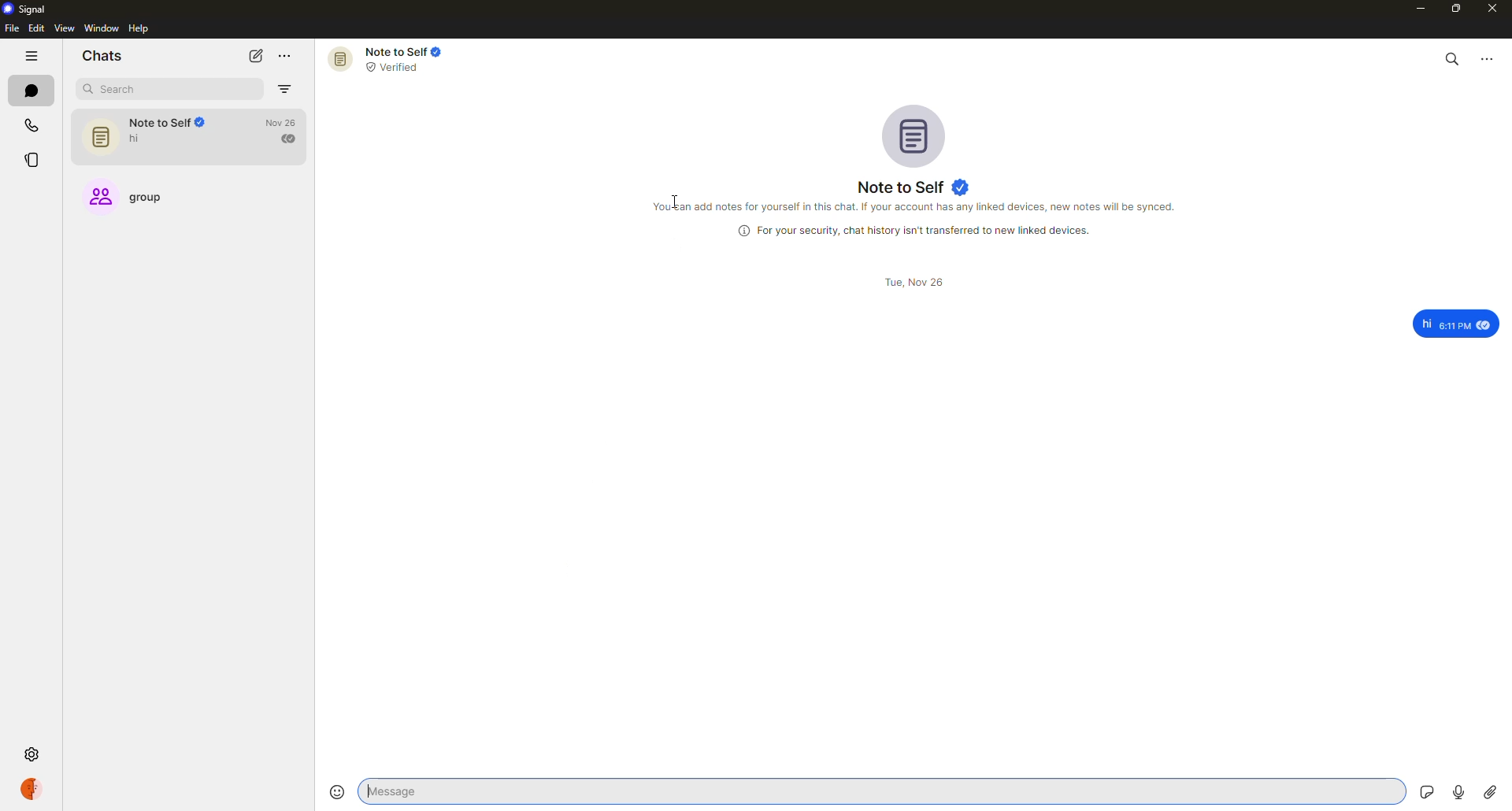 This screenshot has width=1512, height=811. What do you see at coordinates (35, 160) in the screenshot?
I see `stories` at bounding box center [35, 160].